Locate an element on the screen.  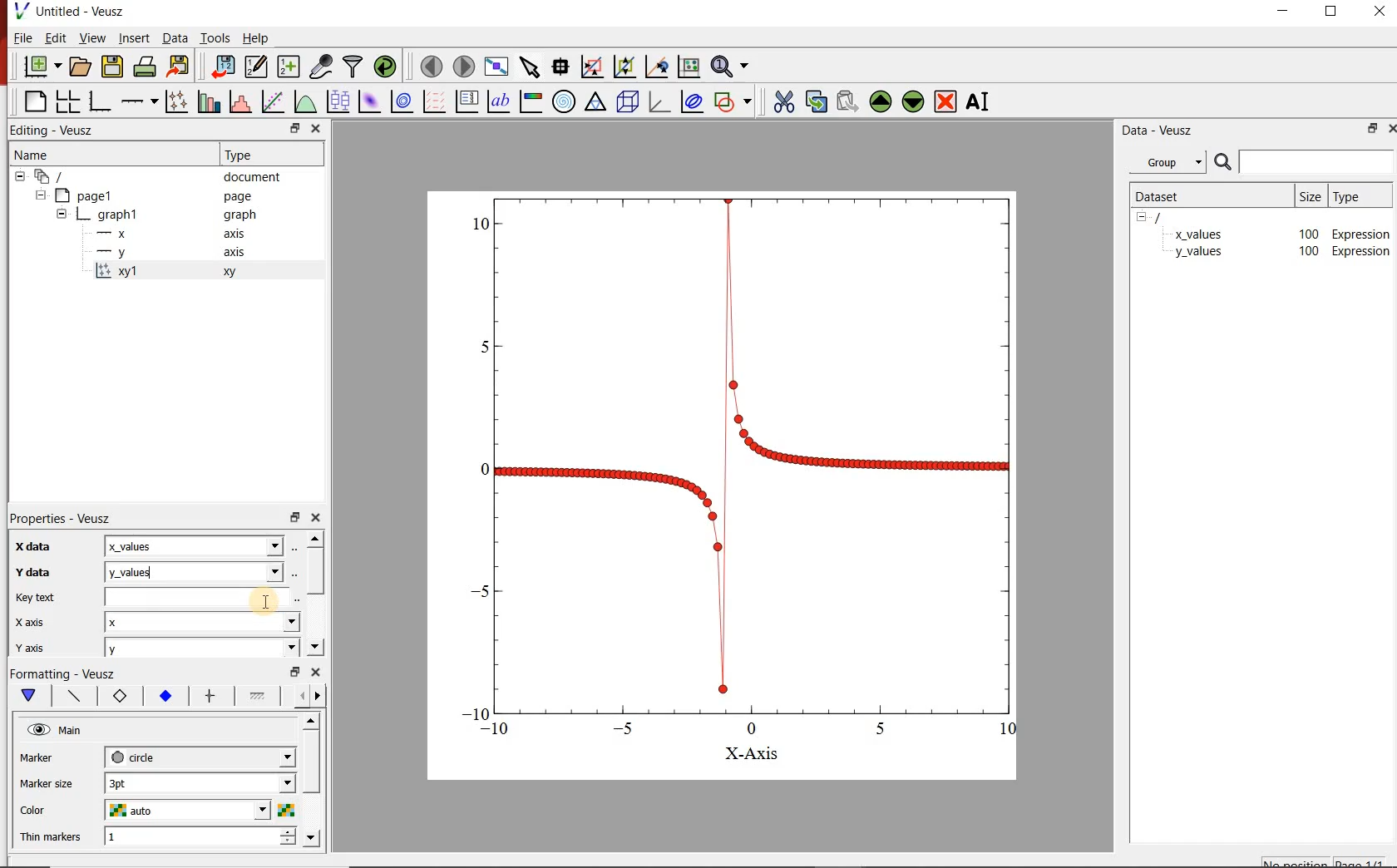
move up is located at coordinates (310, 722).